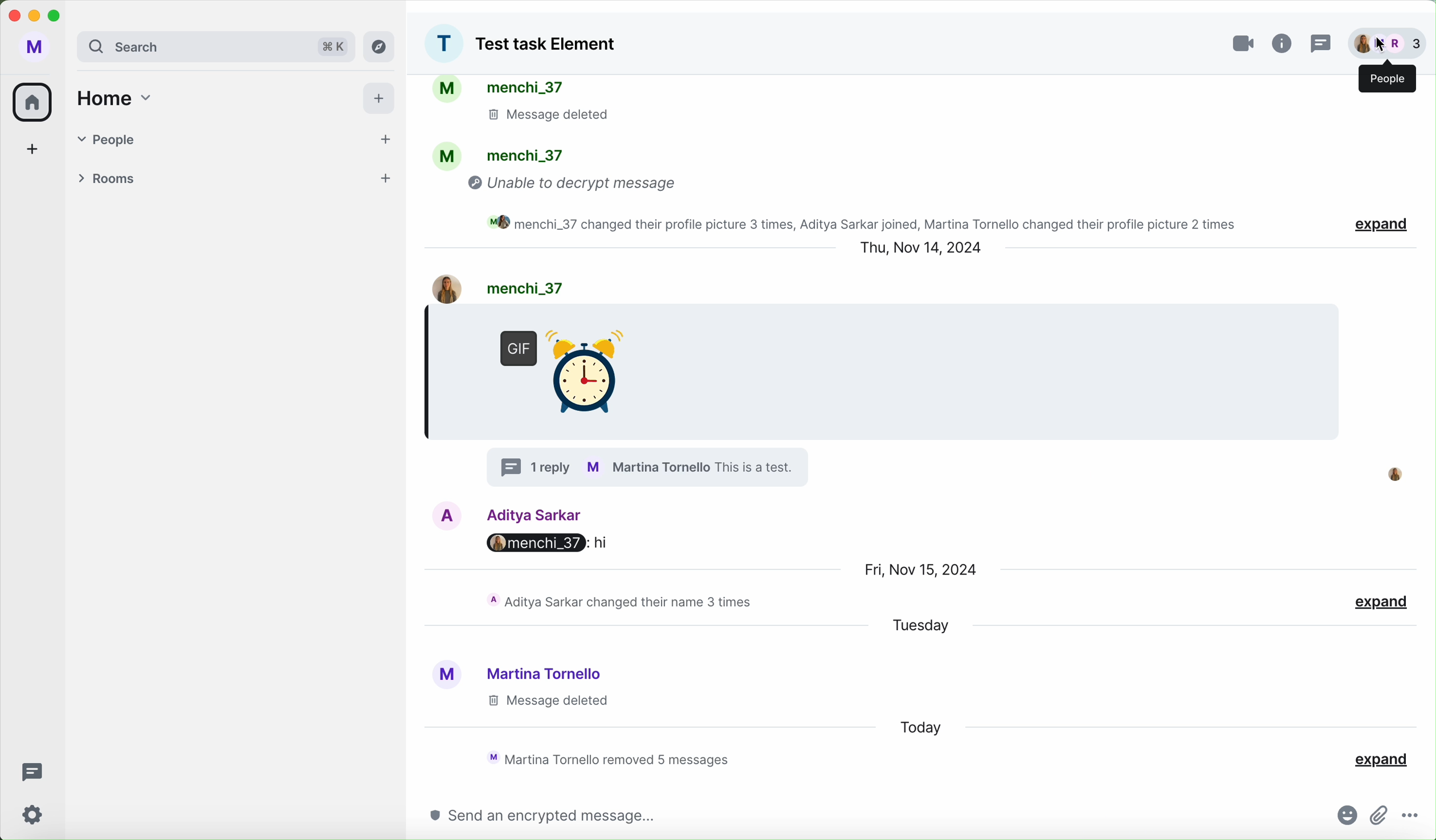  What do you see at coordinates (537, 513) in the screenshot?
I see `Aditya user` at bounding box center [537, 513].